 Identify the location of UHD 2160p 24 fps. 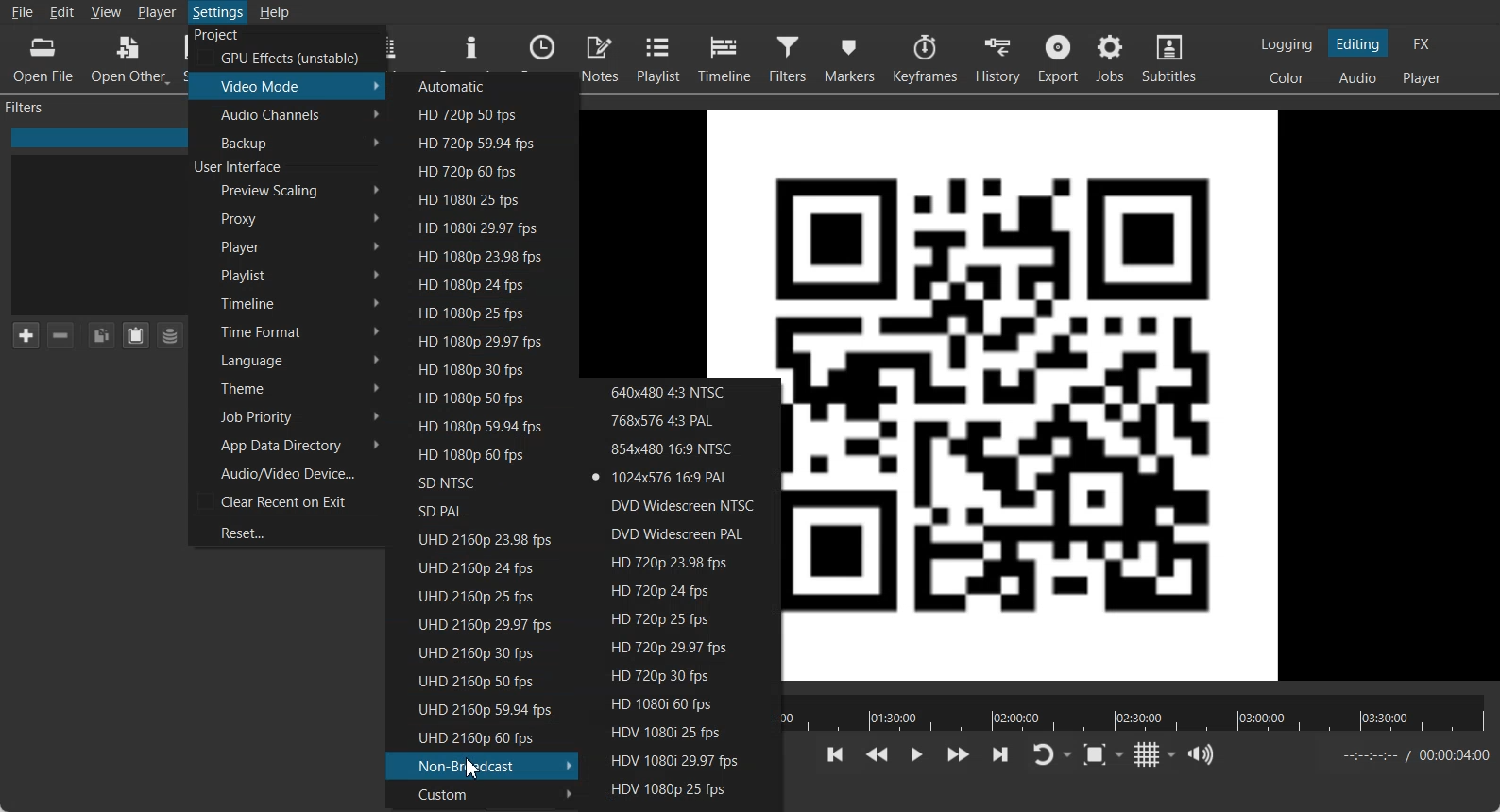
(476, 567).